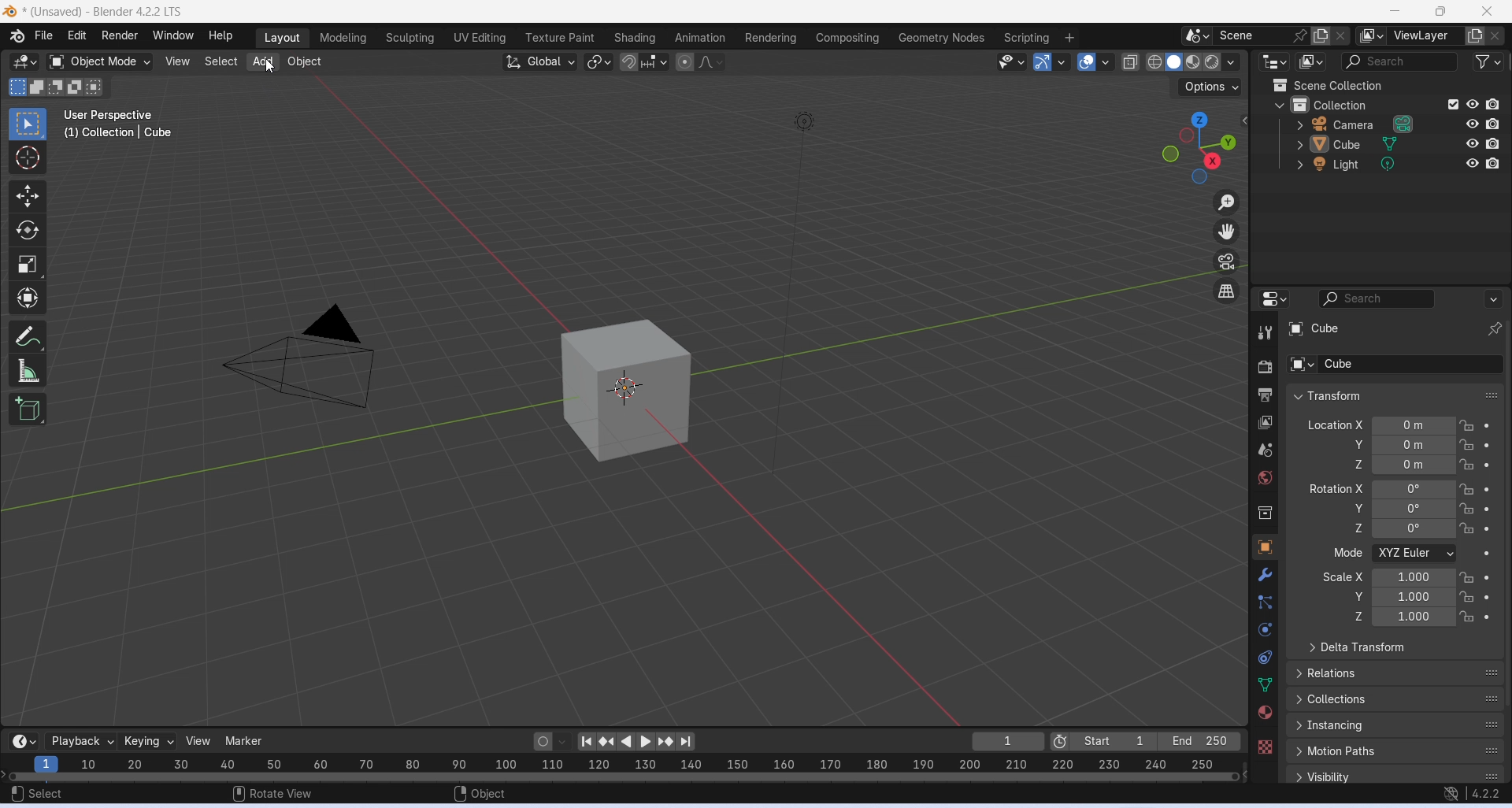 The height and width of the screenshot is (808, 1512). Describe the element at coordinates (608, 744) in the screenshot. I see `jump to keyframe` at that location.